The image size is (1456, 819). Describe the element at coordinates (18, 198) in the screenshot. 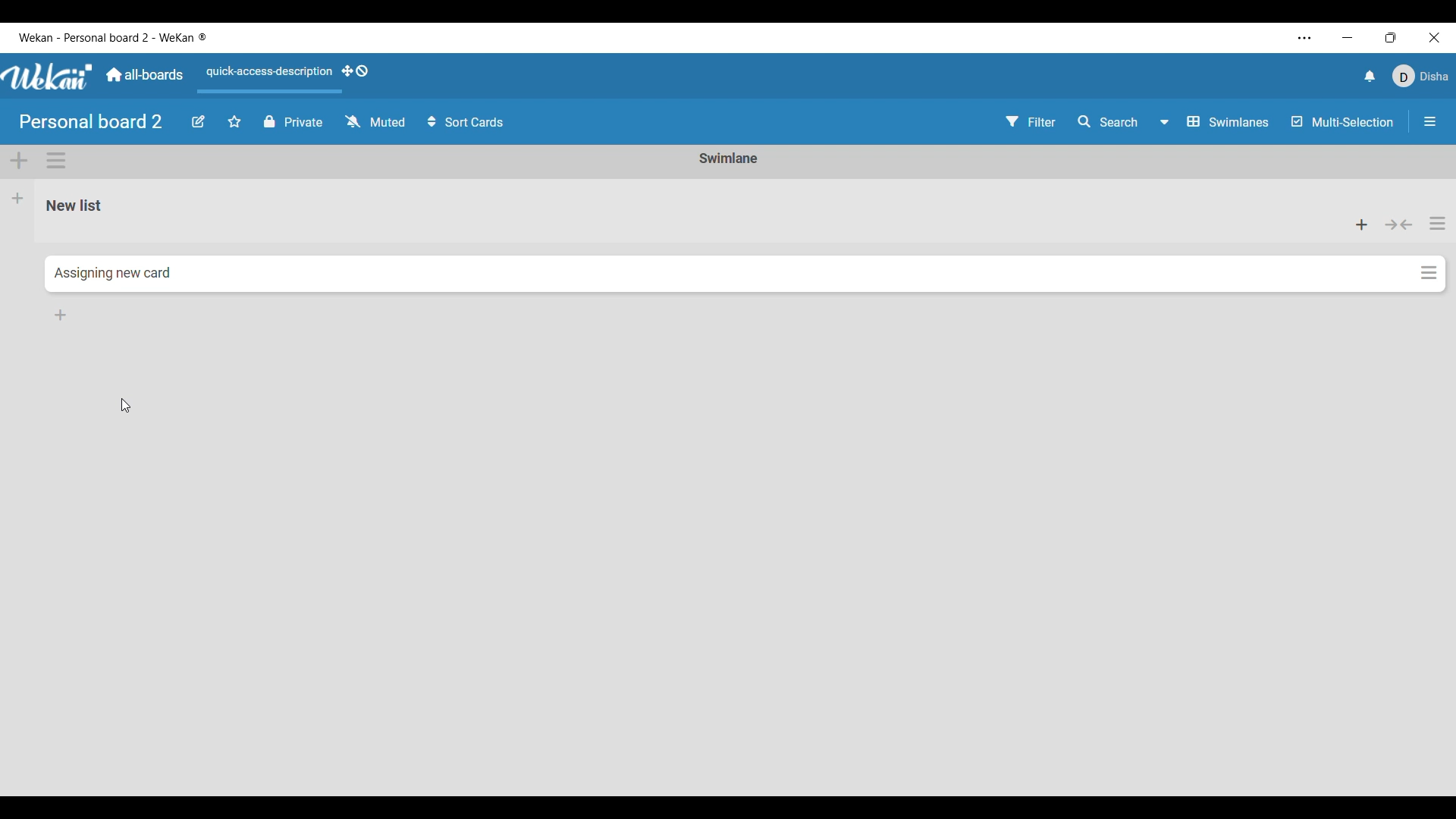

I see `Add list` at that location.